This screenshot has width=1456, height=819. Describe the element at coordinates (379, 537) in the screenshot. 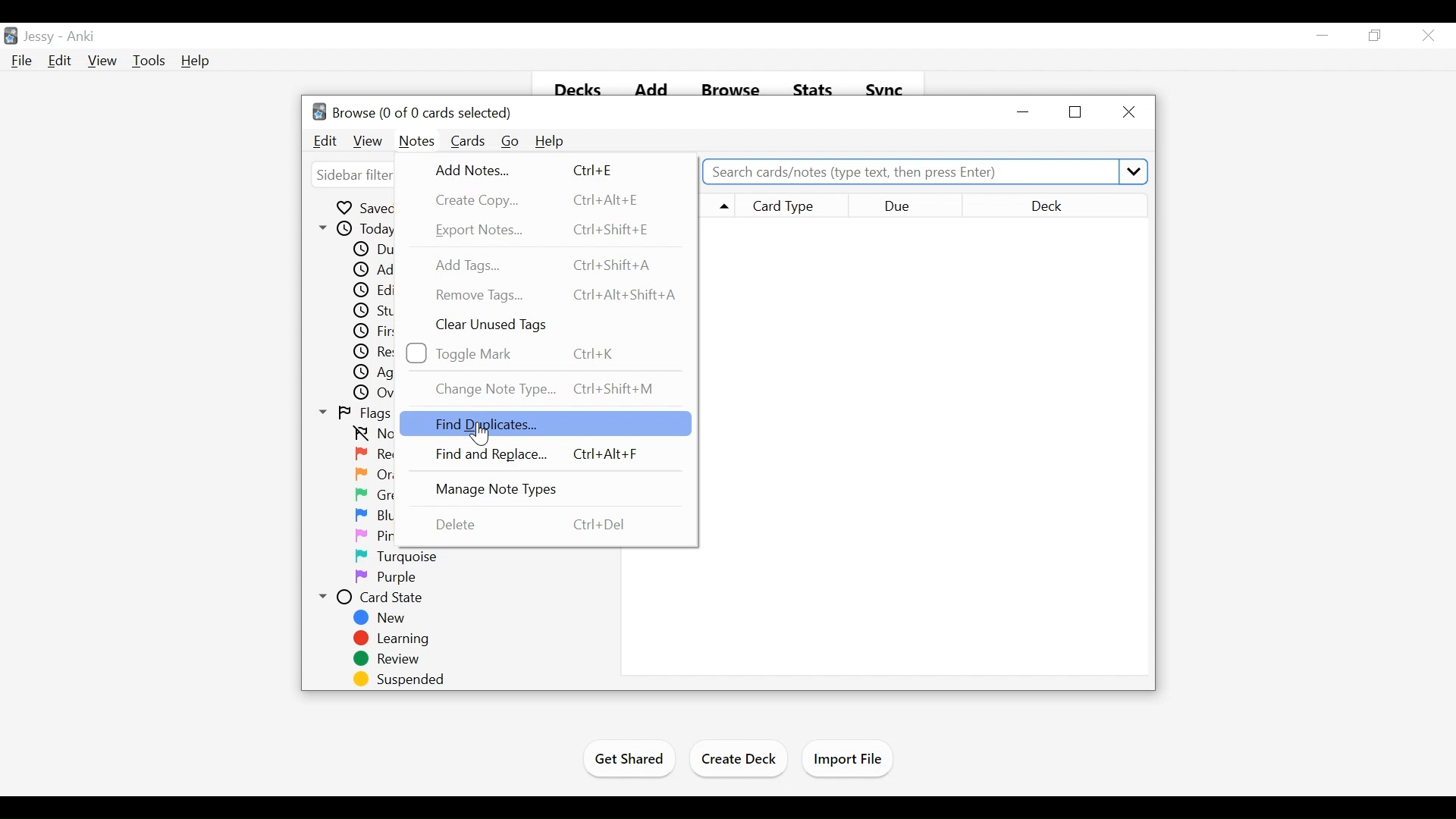

I see `Pink` at that location.